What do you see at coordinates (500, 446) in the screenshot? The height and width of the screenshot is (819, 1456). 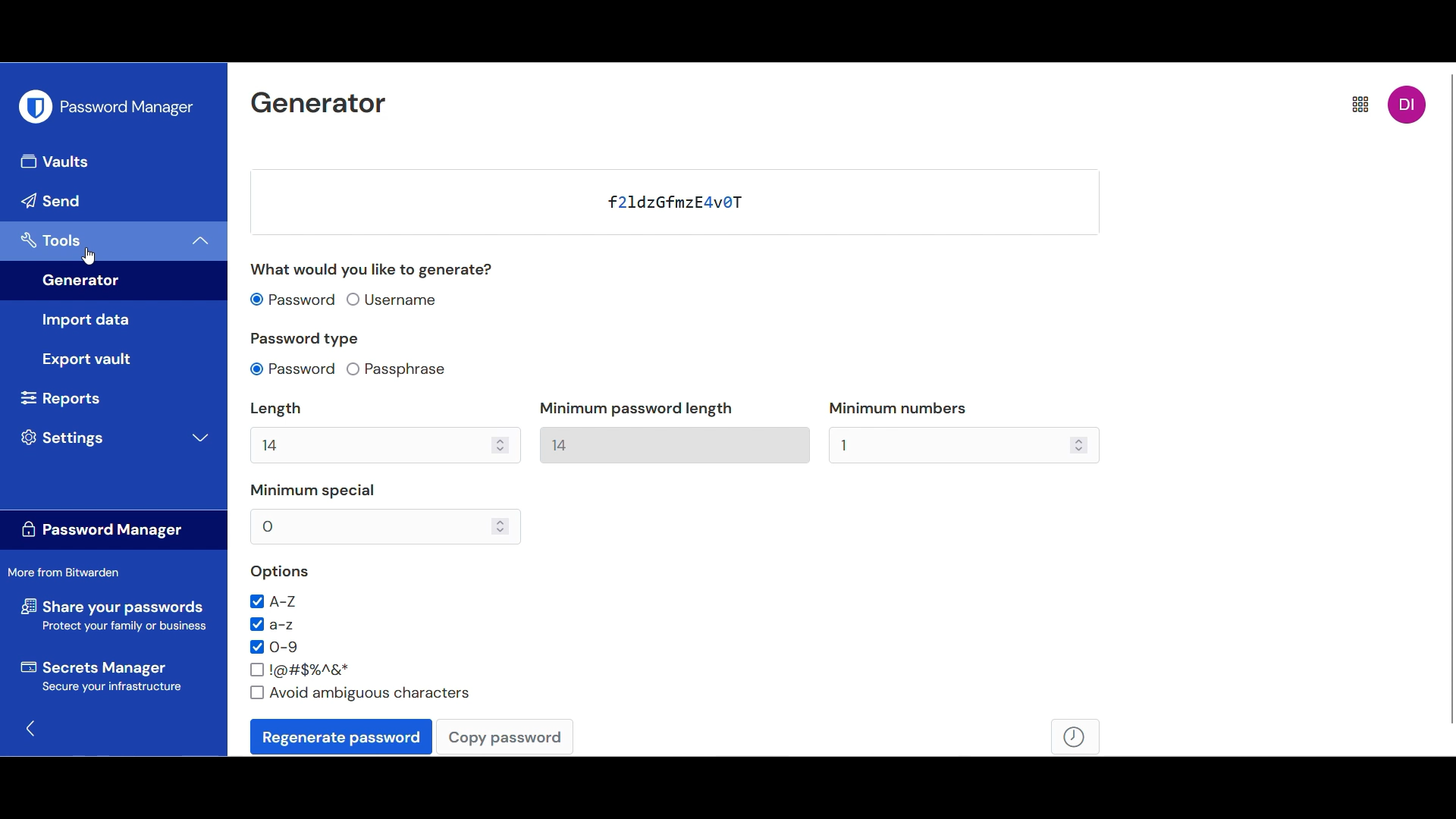 I see `Increase/Decrease length ` at bounding box center [500, 446].